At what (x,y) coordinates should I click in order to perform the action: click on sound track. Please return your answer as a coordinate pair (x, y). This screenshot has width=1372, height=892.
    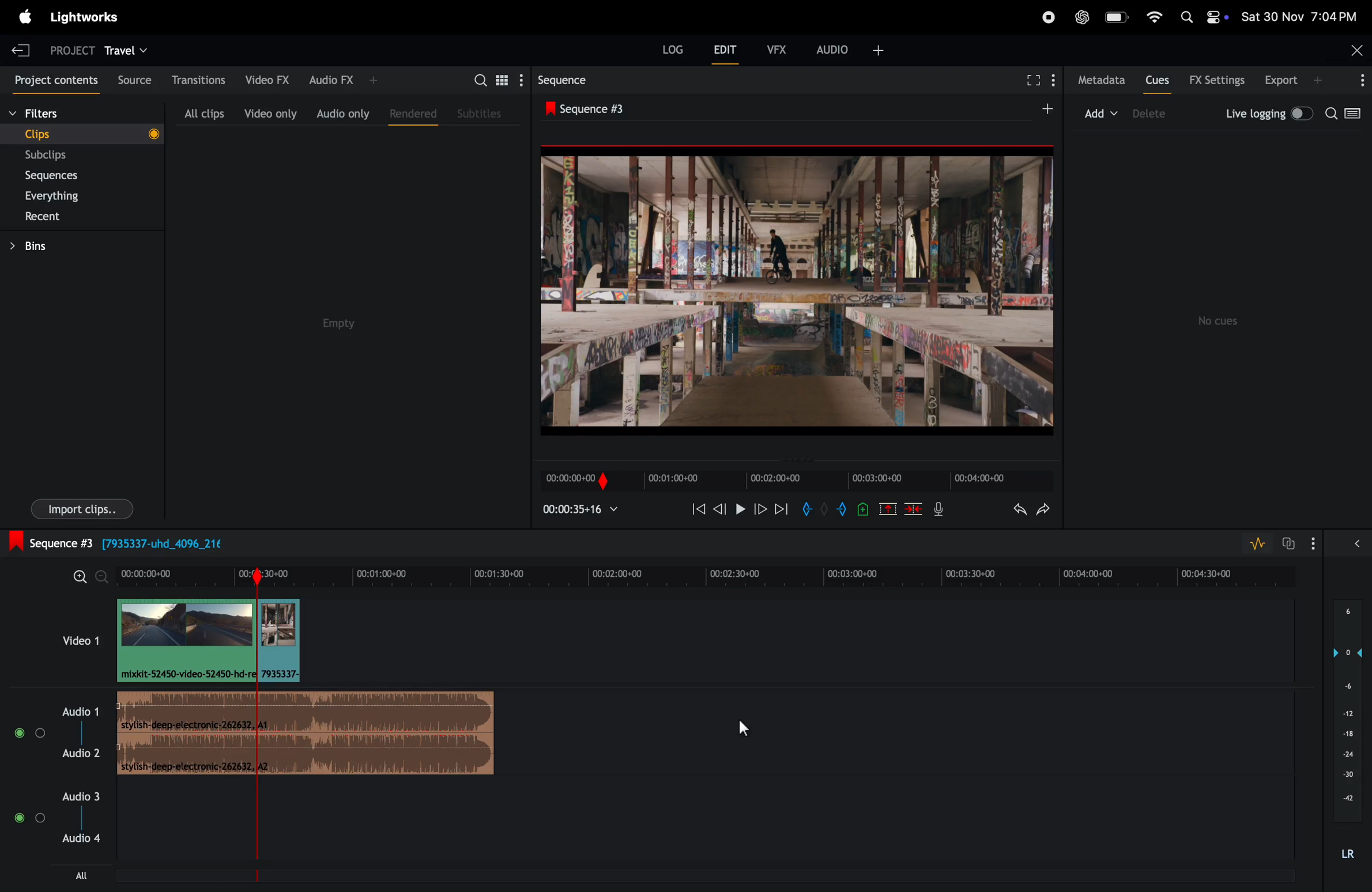
    Looking at the image, I should click on (307, 734).